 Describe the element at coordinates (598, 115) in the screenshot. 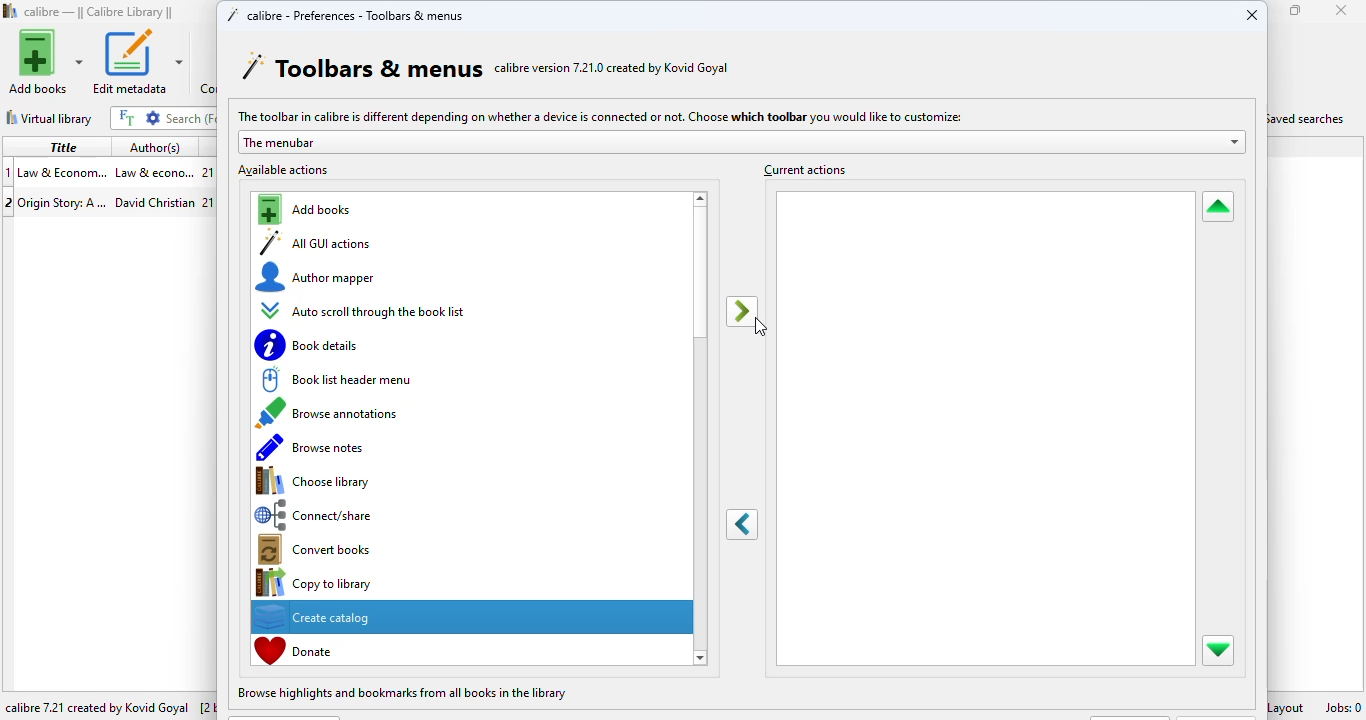

I see `The toolbar in calibre is different depending on whether a device is connected or not. Choose which toolbar you would like to customize:` at that location.